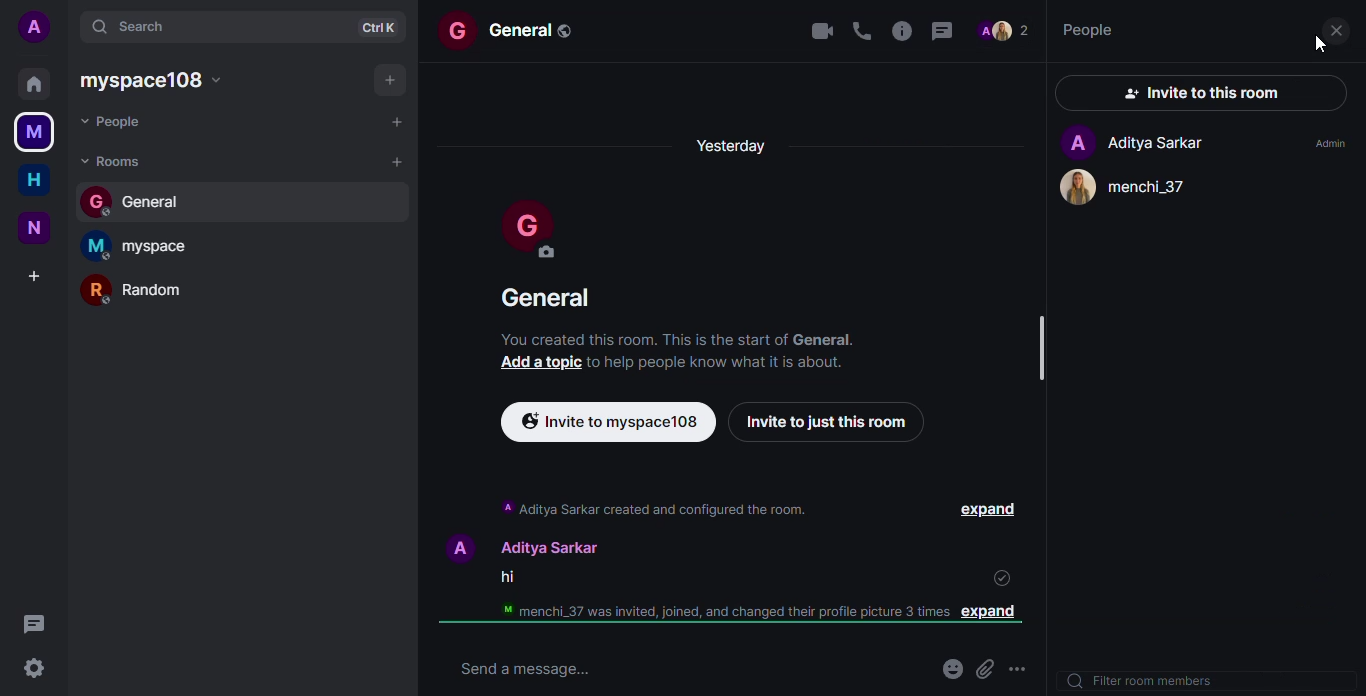 Image resolution: width=1366 pixels, height=696 pixels. What do you see at coordinates (395, 78) in the screenshot?
I see `add` at bounding box center [395, 78].